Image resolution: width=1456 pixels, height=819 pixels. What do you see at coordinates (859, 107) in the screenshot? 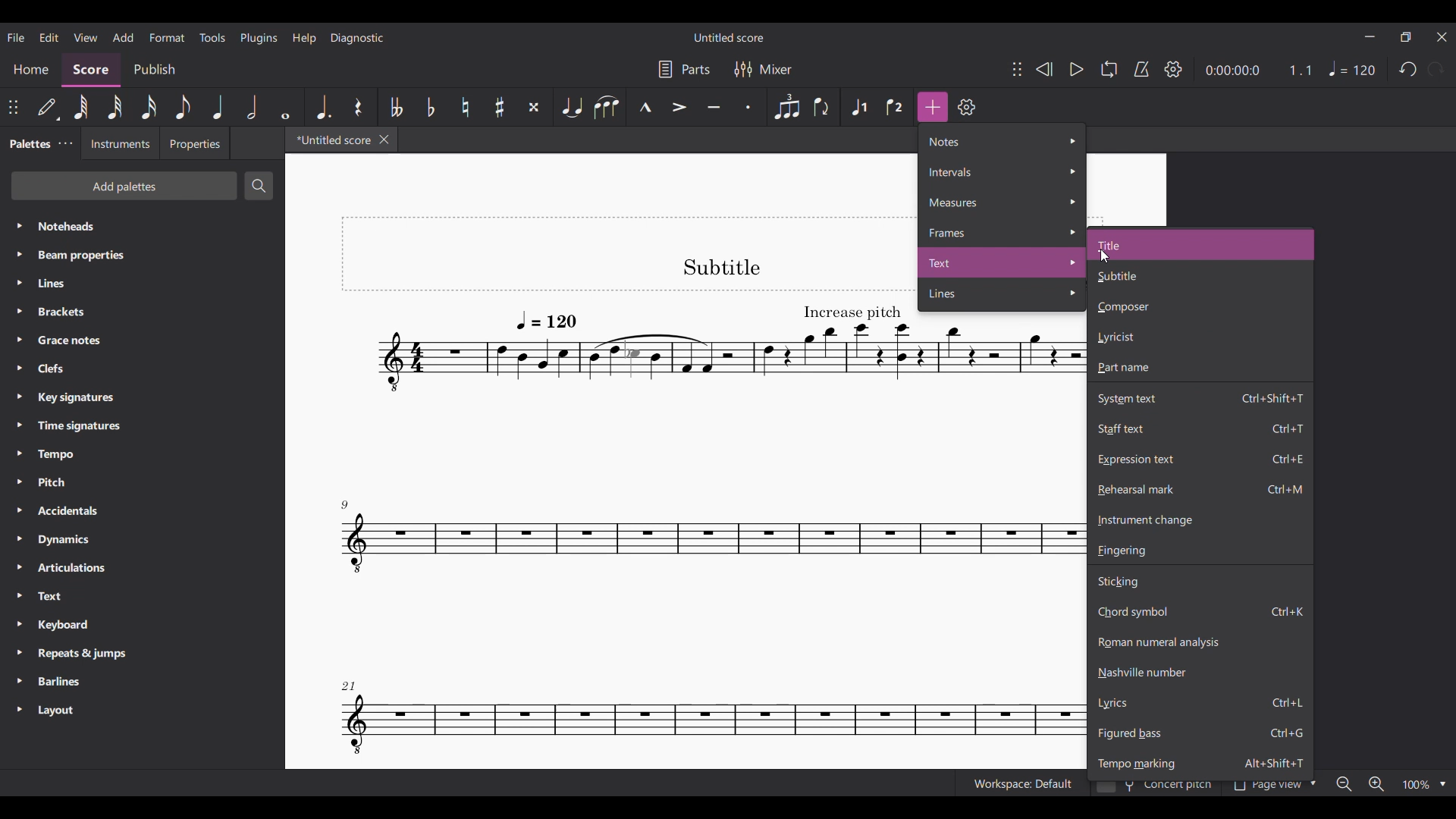
I see `Voice 1` at bounding box center [859, 107].